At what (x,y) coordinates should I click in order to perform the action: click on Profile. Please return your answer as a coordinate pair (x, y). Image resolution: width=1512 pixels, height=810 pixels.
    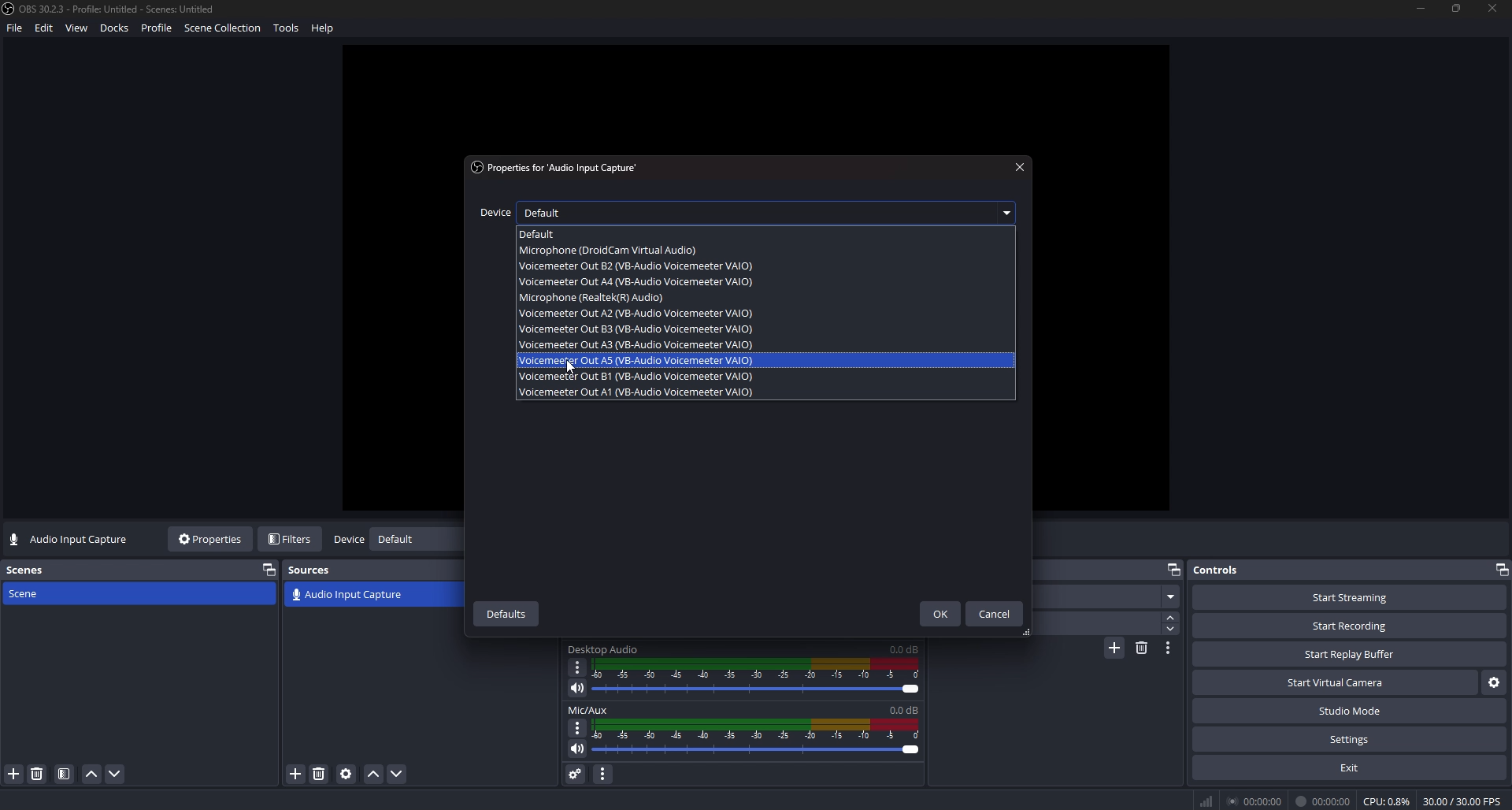
    Looking at the image, I should click on (157, 29).